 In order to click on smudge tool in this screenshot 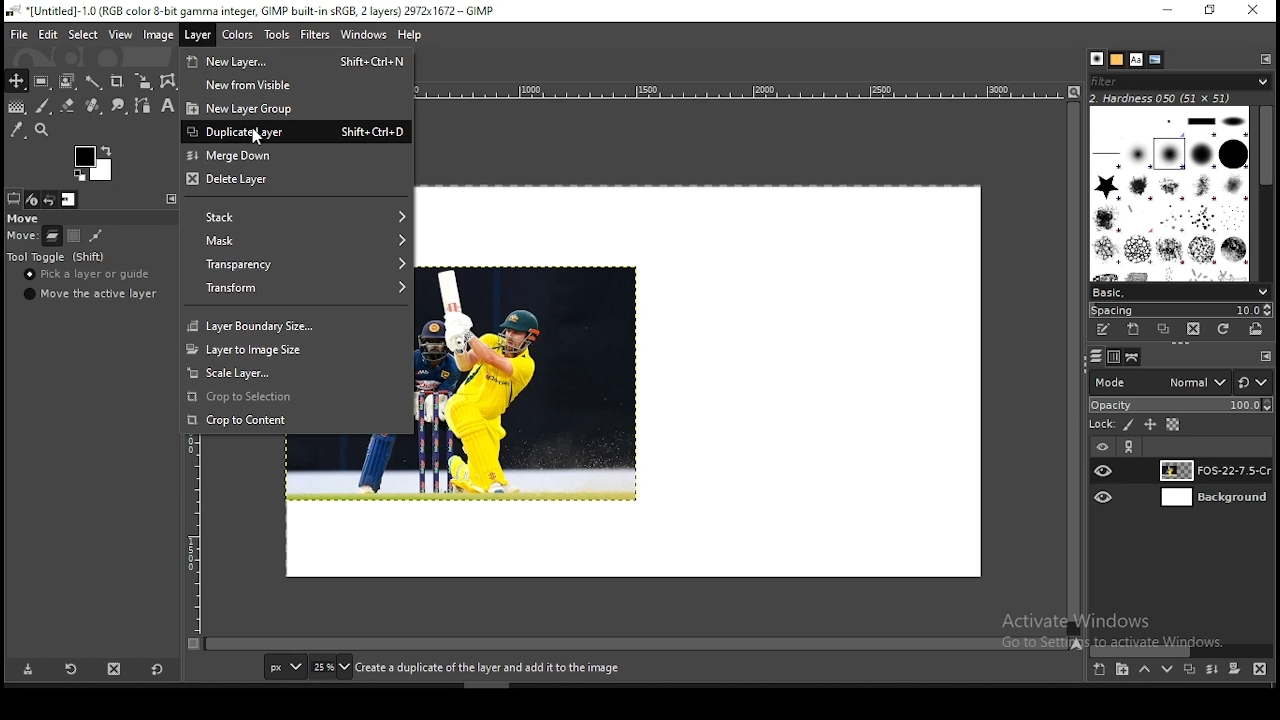, I will do `click(116, 106)`.